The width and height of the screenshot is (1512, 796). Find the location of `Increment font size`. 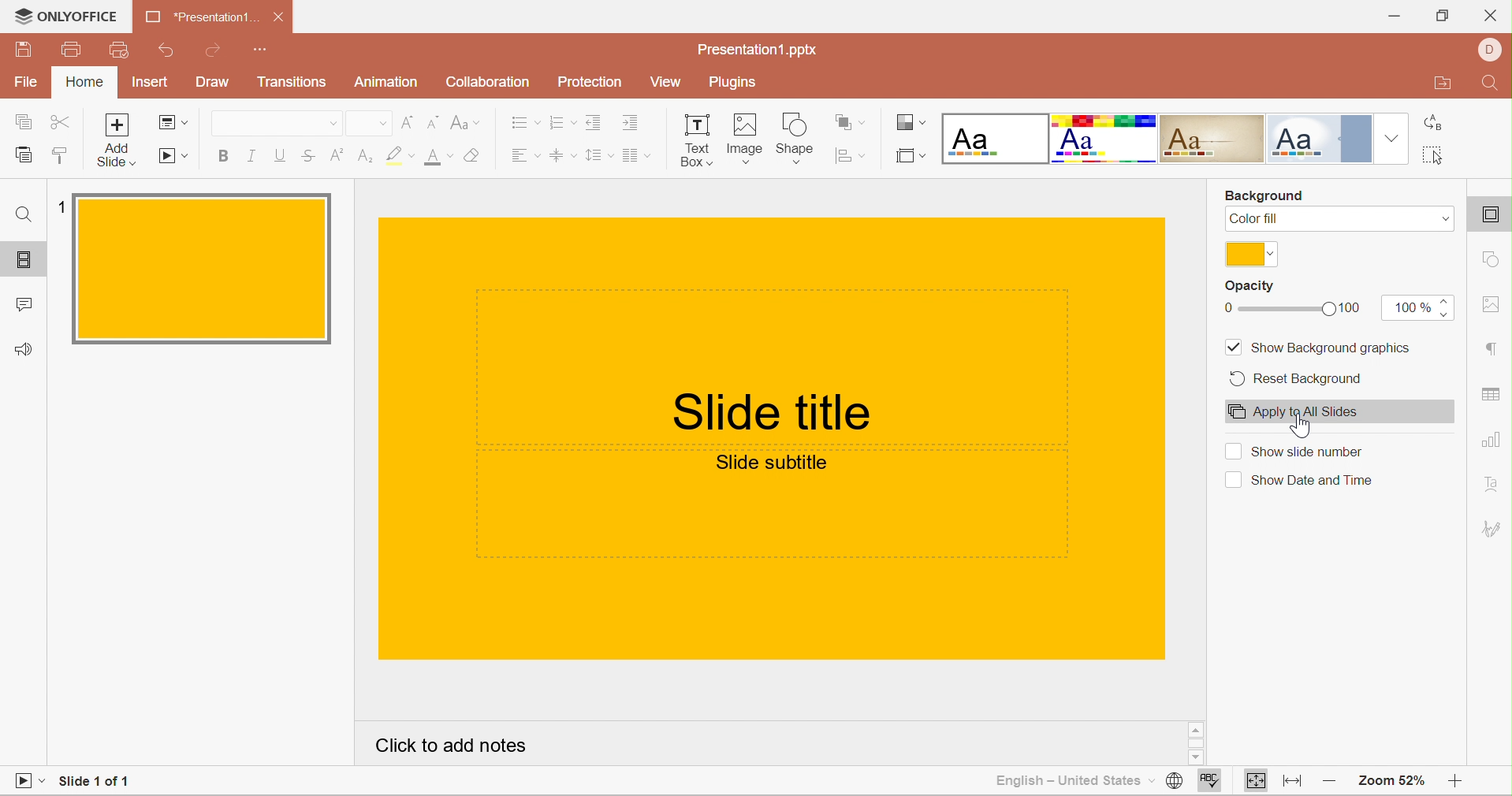

Increment font size is located at coordinates (406, 121).